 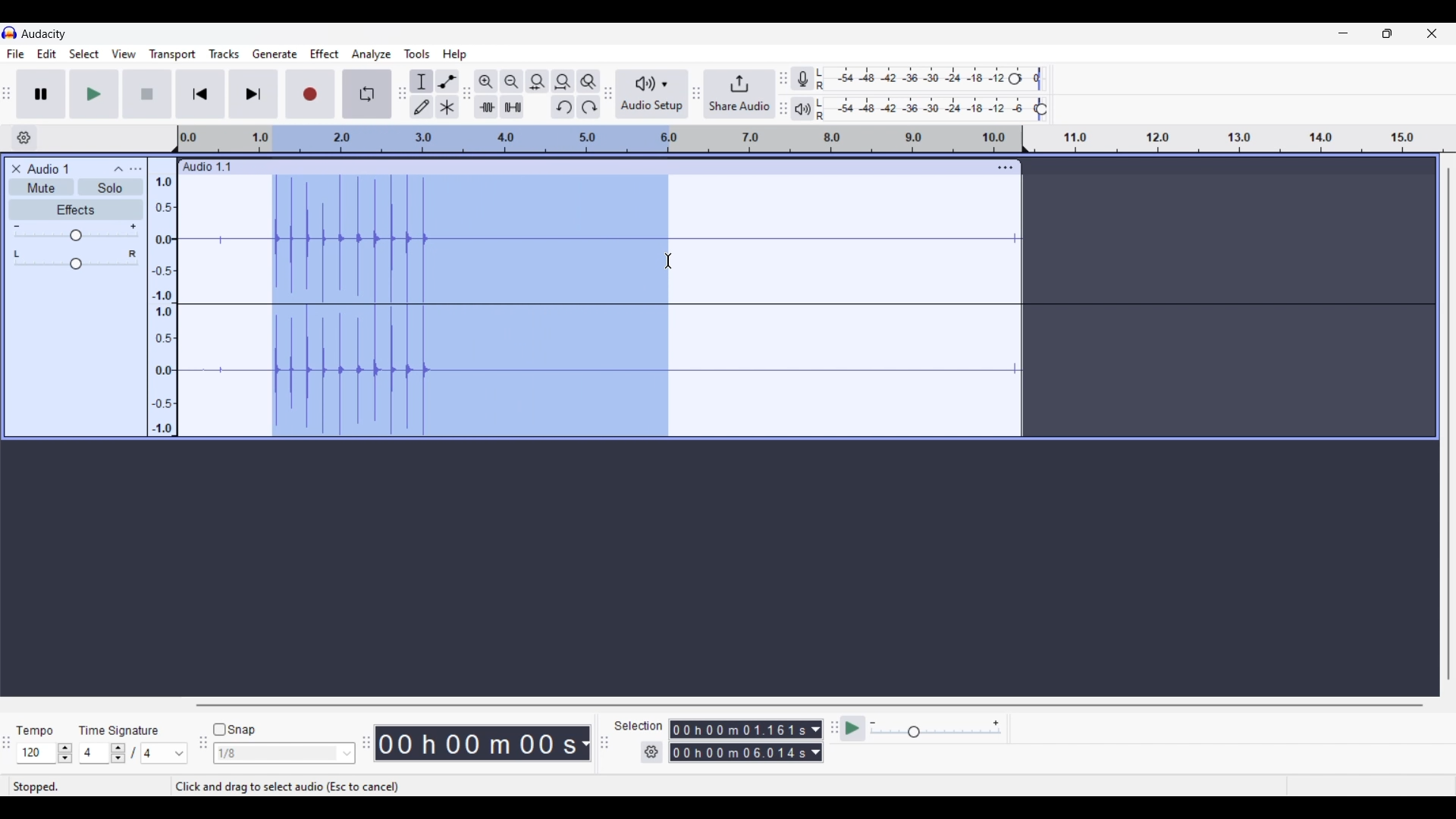 What do you see at coordinates (852, 729) in the screenshot?
I see `Play-at-speed/Play-at-speed once` at bounding box center [852, 729].